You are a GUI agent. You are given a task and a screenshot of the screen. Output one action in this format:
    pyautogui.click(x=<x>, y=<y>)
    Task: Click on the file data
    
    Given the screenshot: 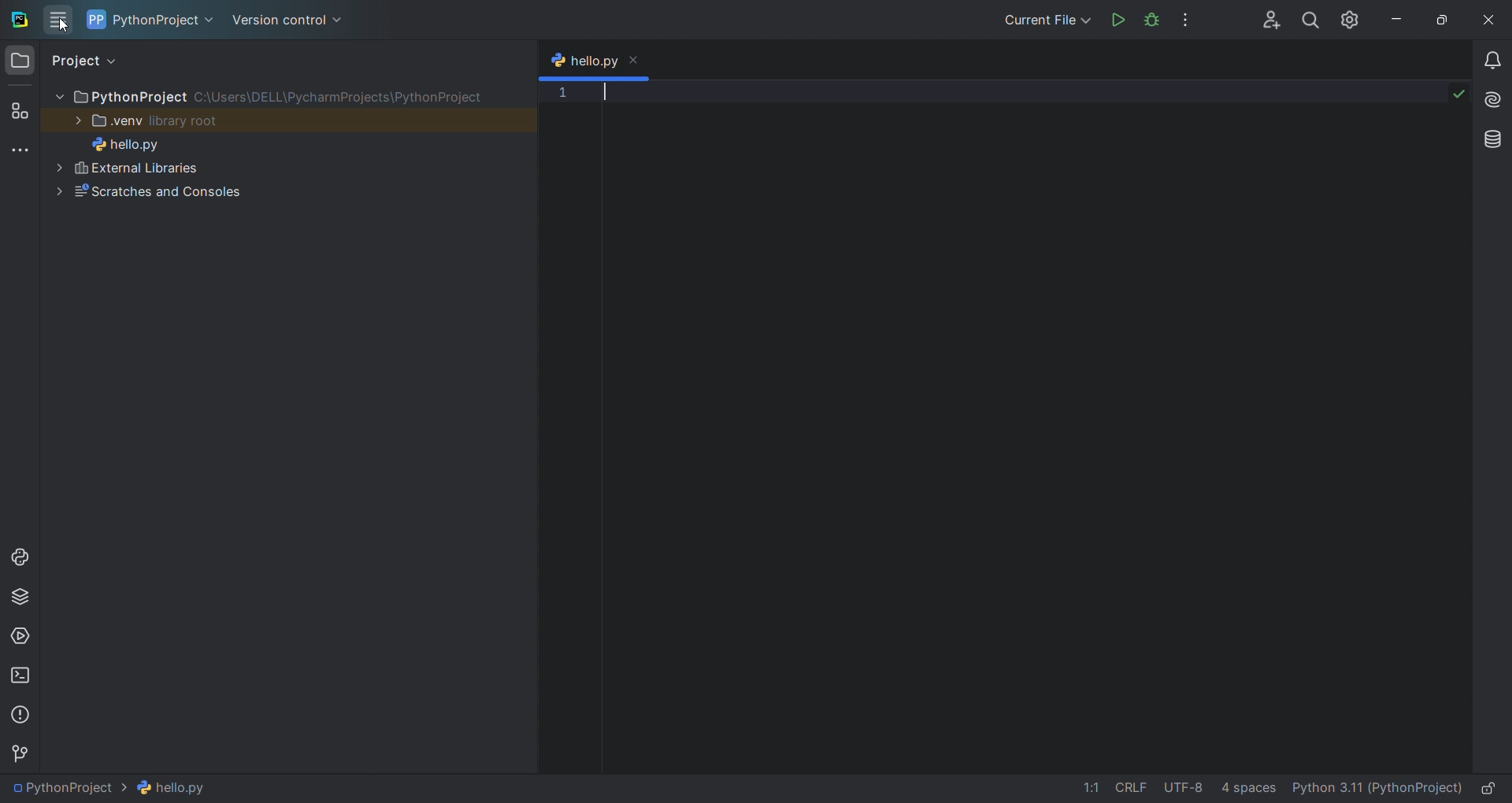 What is the action you would take?
    pyautogui.click(x=1169, y=786)
    